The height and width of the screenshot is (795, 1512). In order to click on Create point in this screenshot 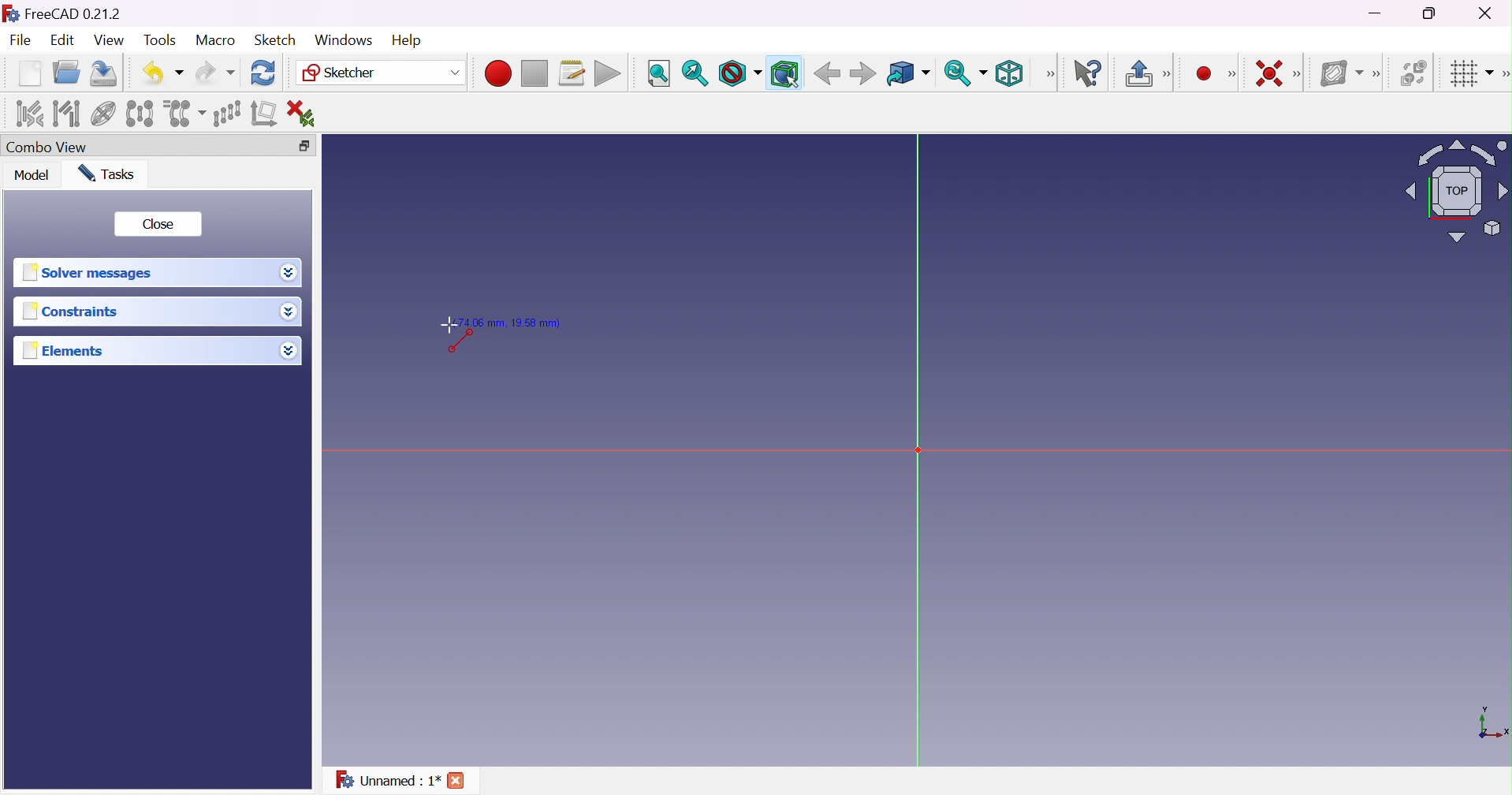, I will do `click(1201, 72)`.